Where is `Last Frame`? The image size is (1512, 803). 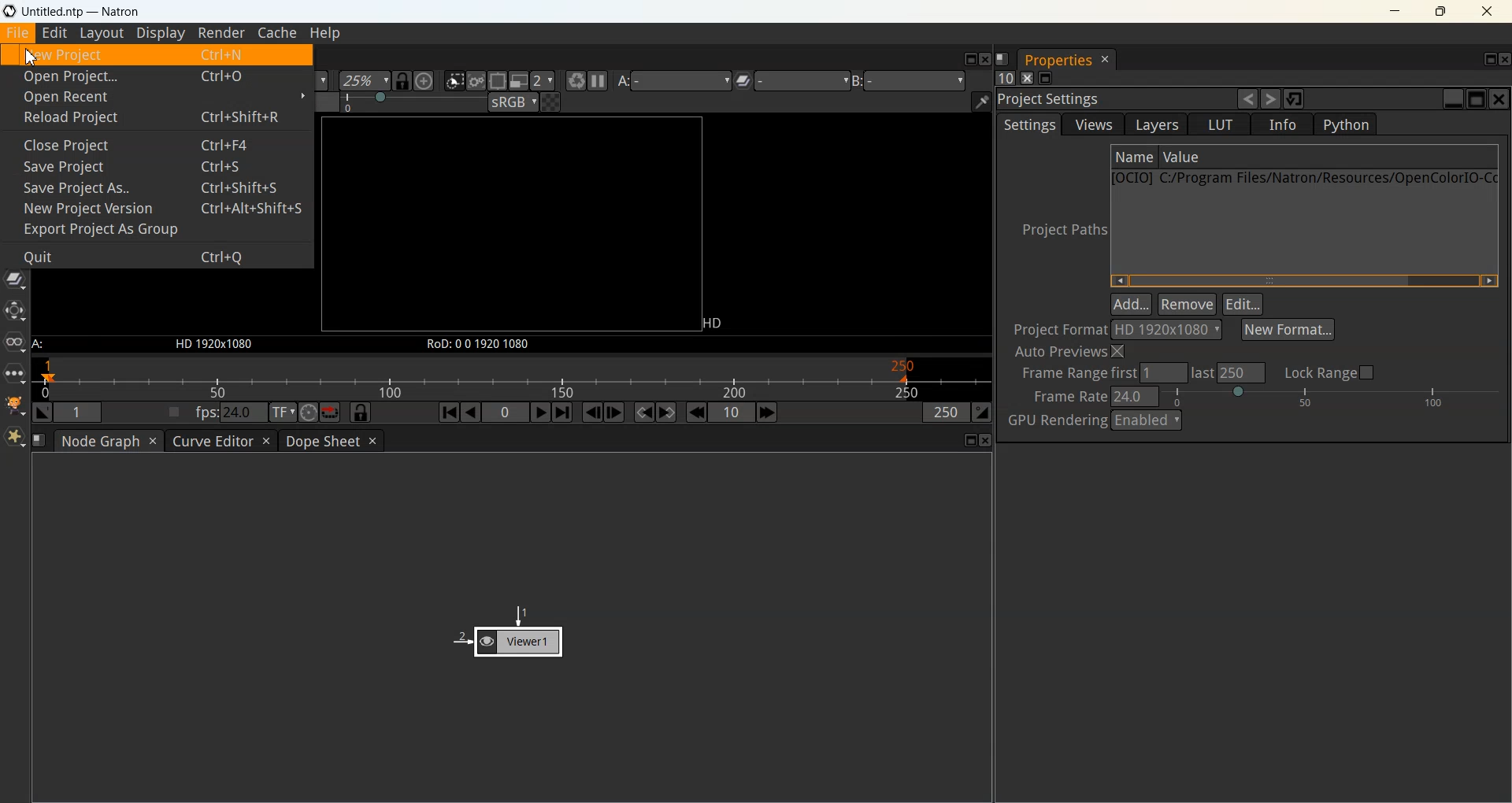 Last Frame is located at coordinates (563, 412).